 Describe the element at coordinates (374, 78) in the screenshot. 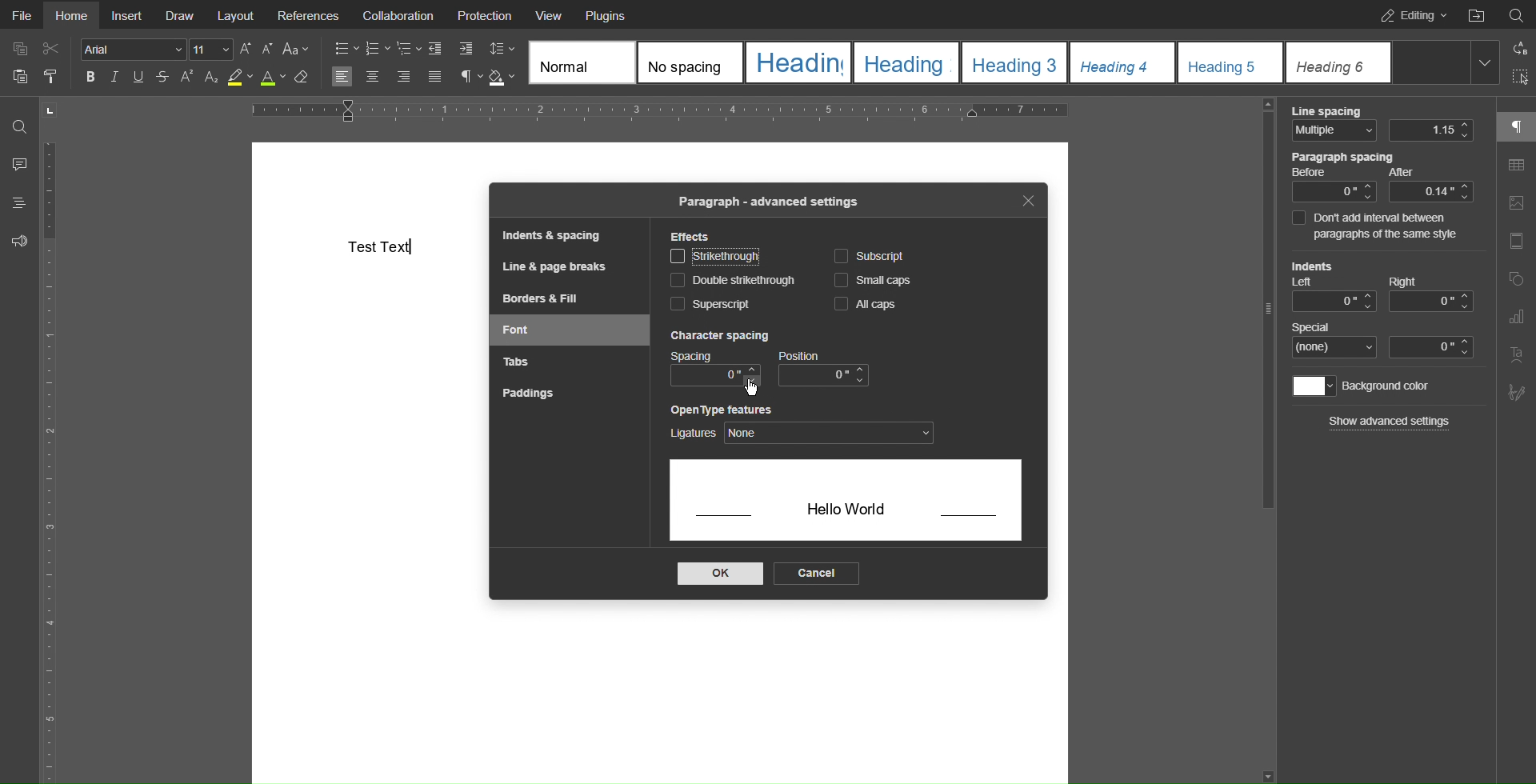

I see `Centre Align` at that location.